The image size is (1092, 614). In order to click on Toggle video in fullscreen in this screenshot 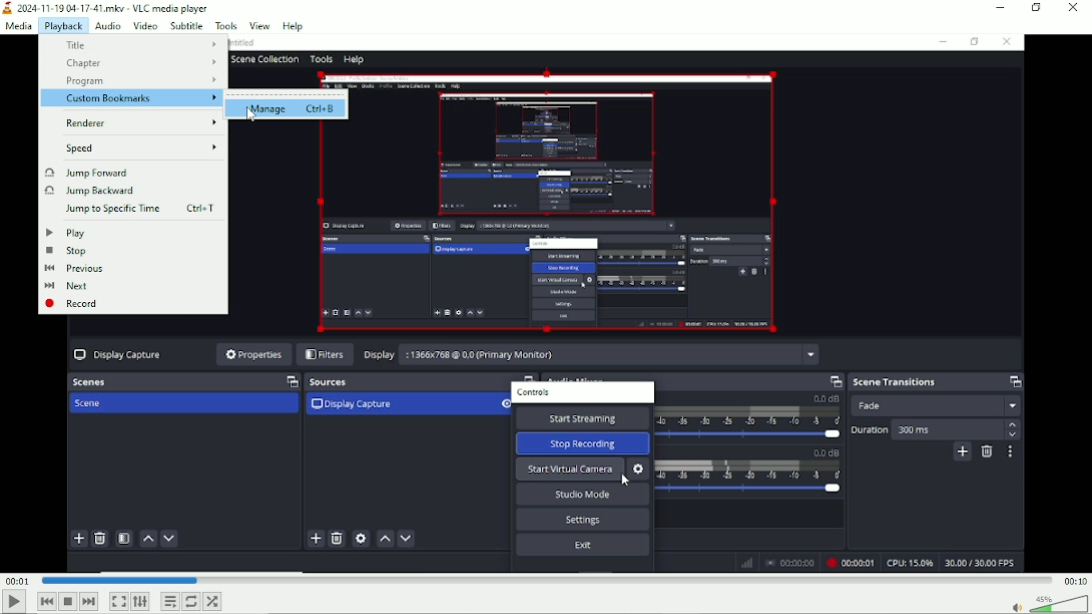, I will do `click(119, 601)`.